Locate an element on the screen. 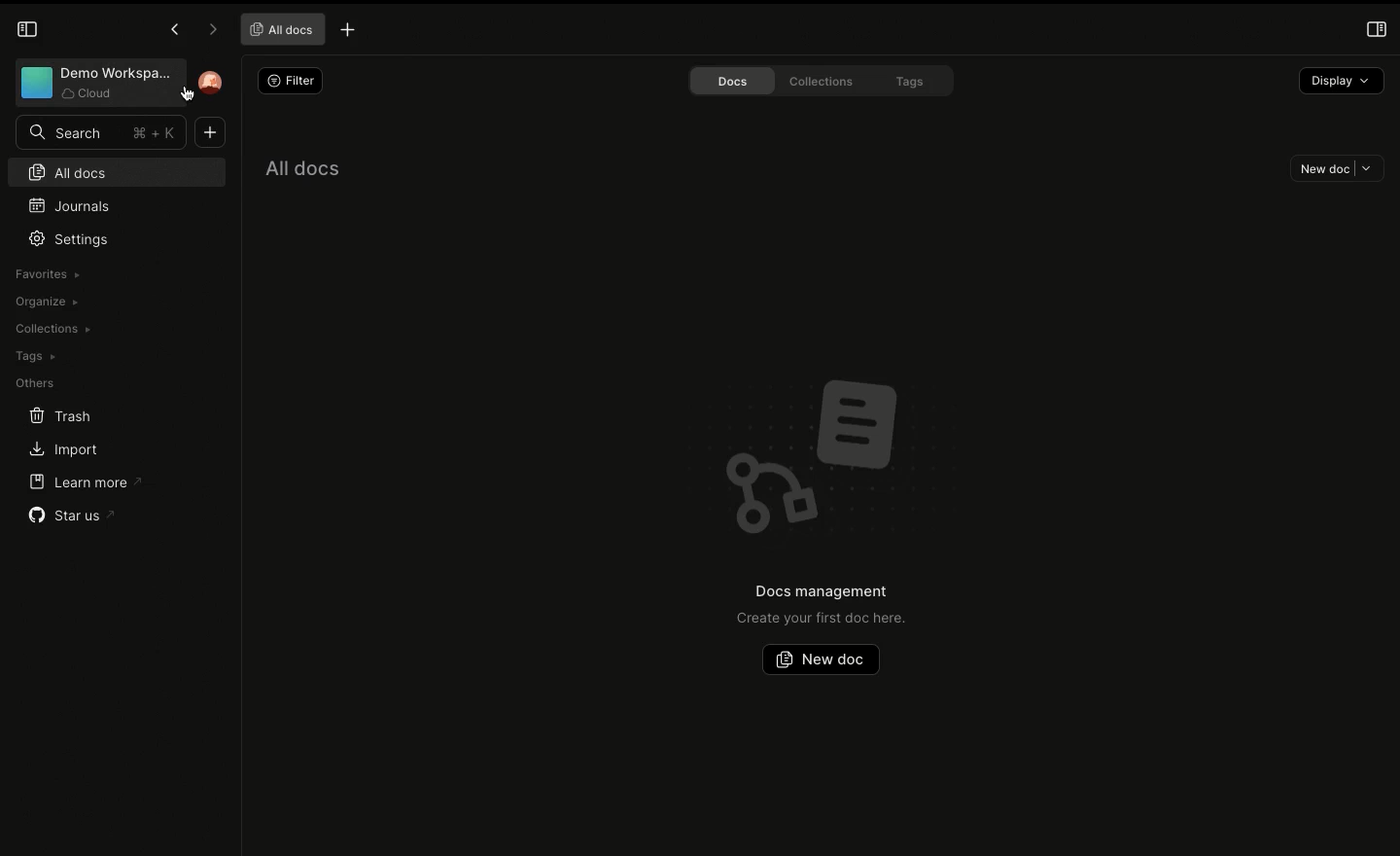 Image resolution: width=1400 pixels, height=856 pixels. Others is located at coordinates (34, 381).